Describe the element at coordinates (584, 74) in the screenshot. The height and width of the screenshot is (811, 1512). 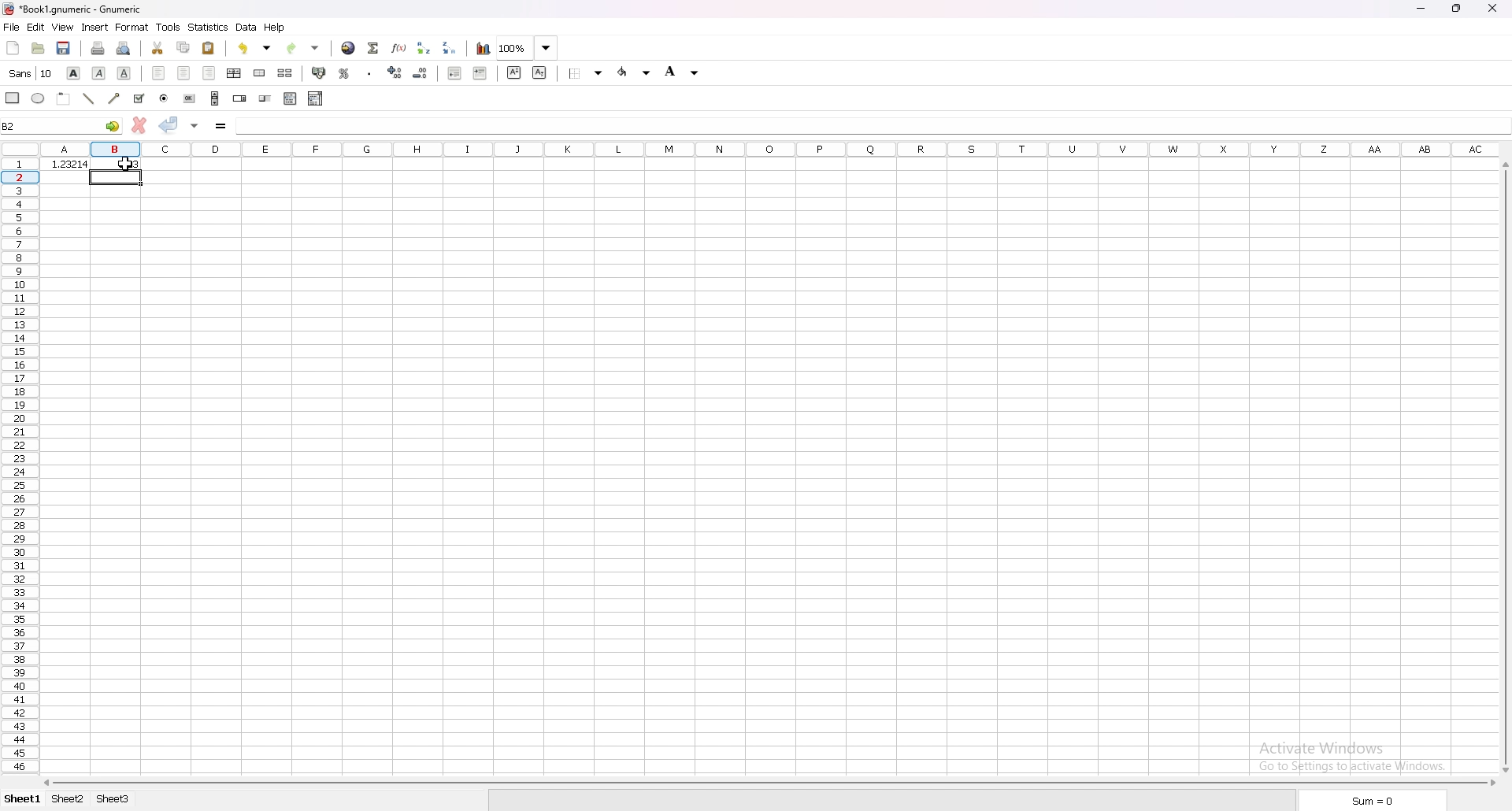
I see `border` at that location.